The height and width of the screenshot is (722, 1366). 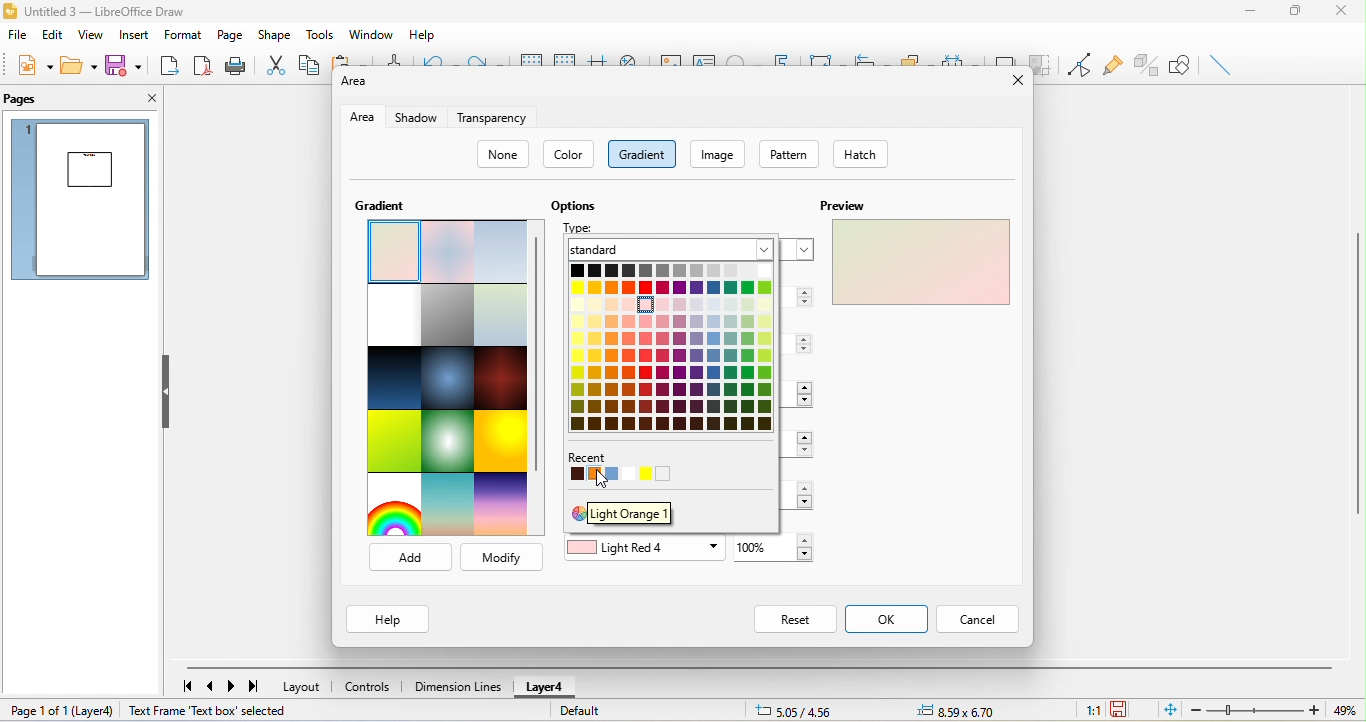 I want to click on vertical scroll bar, so click(x=540, y=359).